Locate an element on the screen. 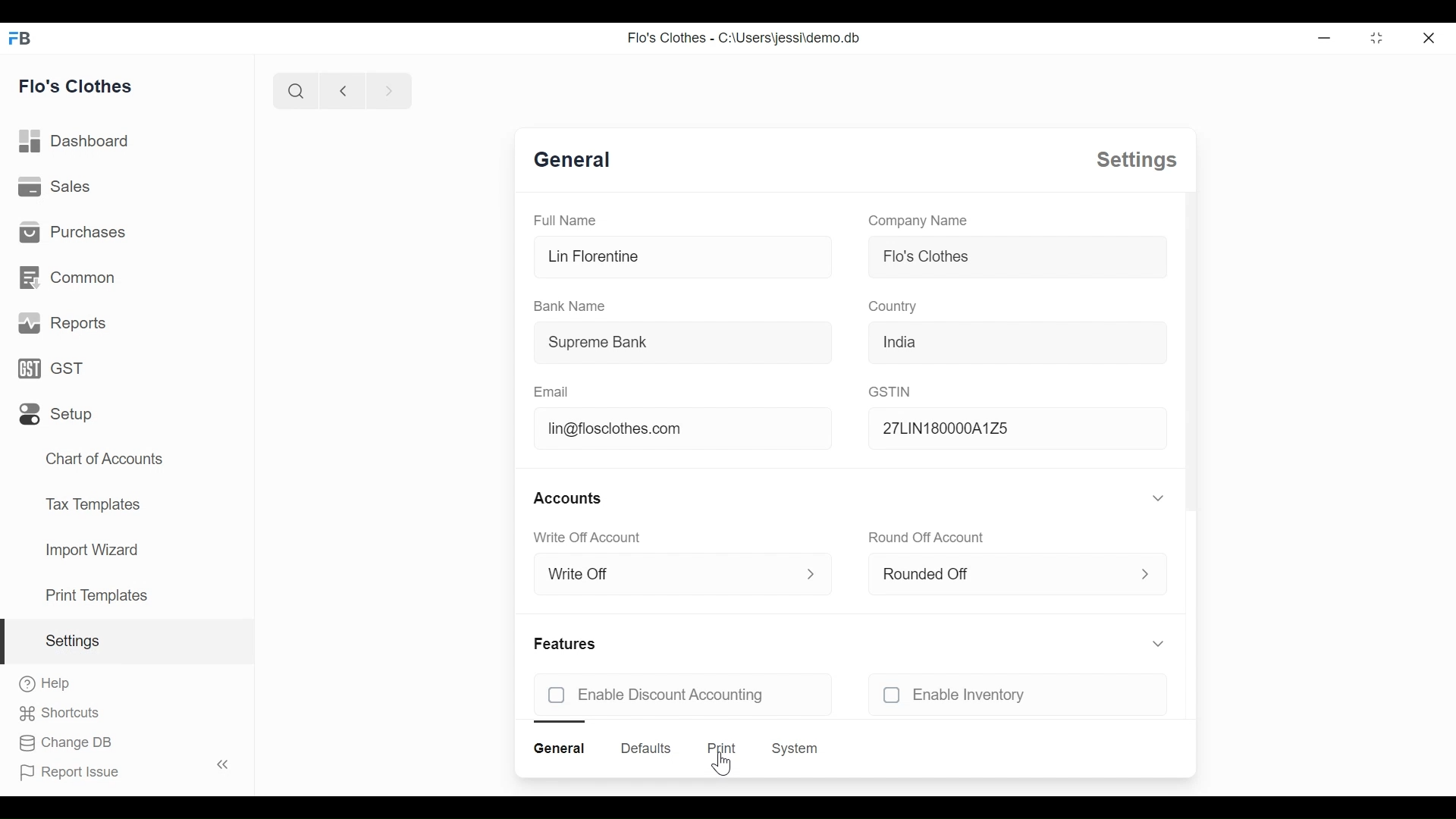  toggle expand/collapse is located at coordinates (1159, 644).